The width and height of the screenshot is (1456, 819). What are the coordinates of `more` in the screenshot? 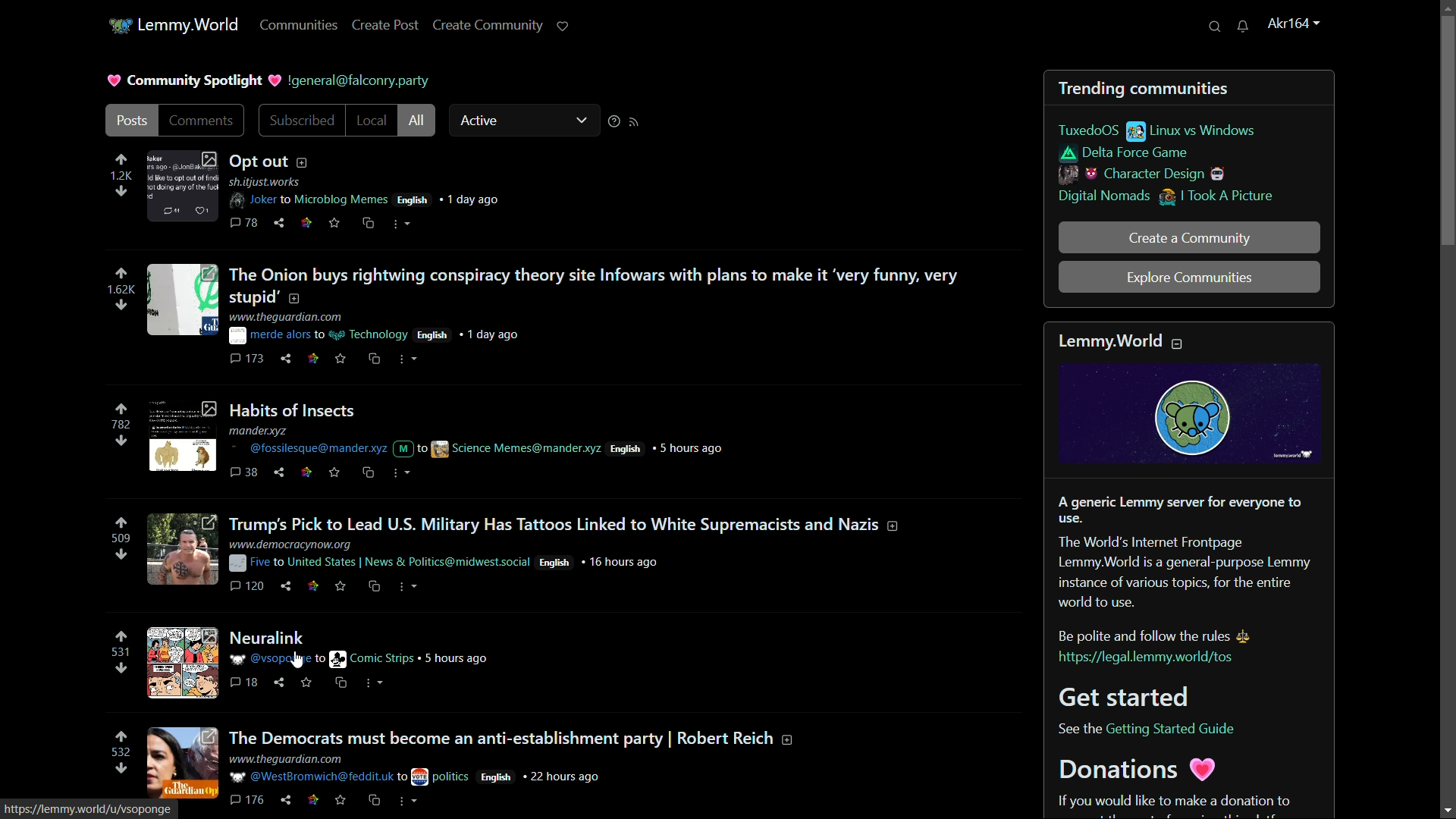 It's located at (409, 359).